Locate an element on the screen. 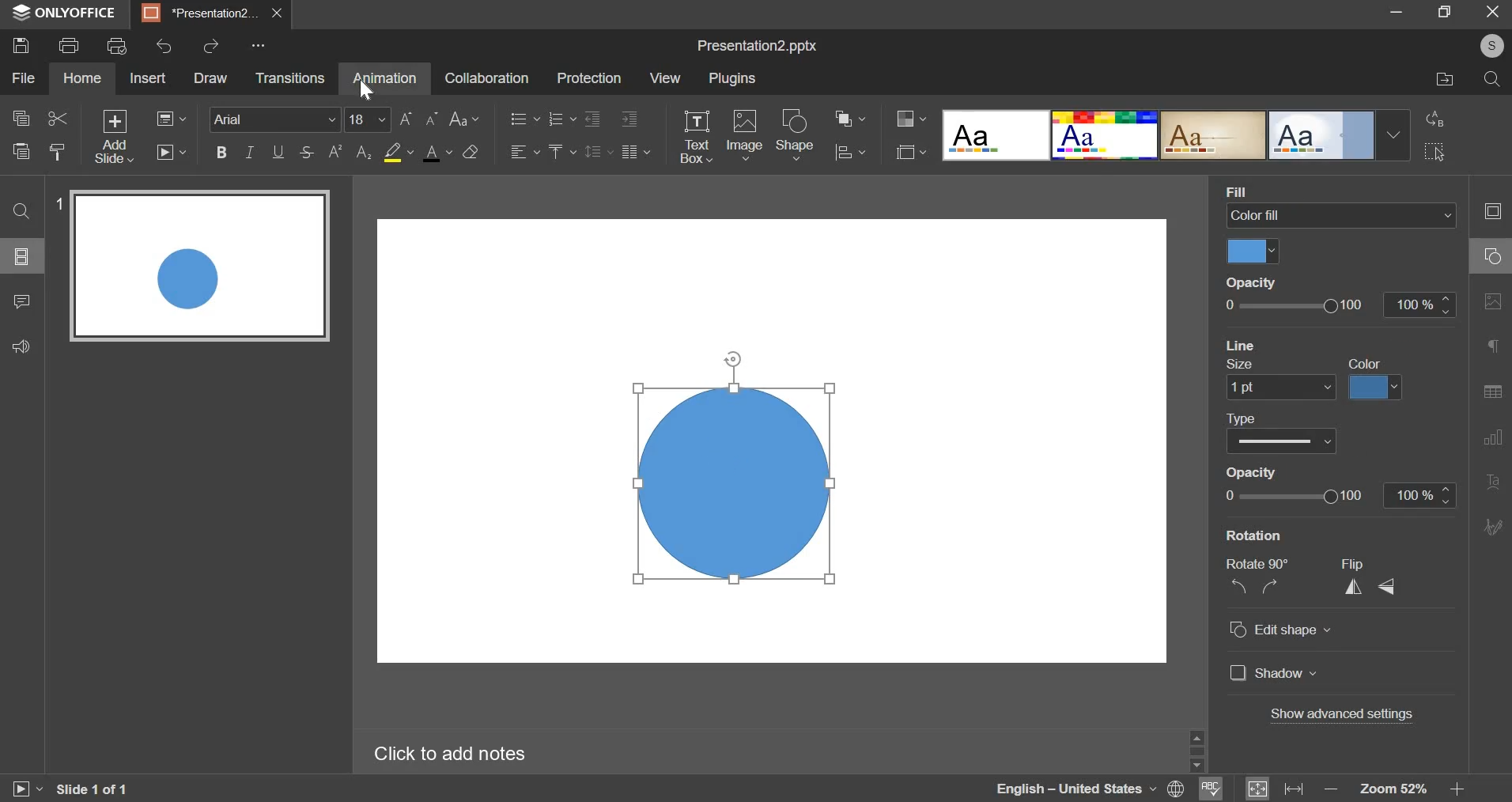  Click to add notes is located at coordinates (482, 754).